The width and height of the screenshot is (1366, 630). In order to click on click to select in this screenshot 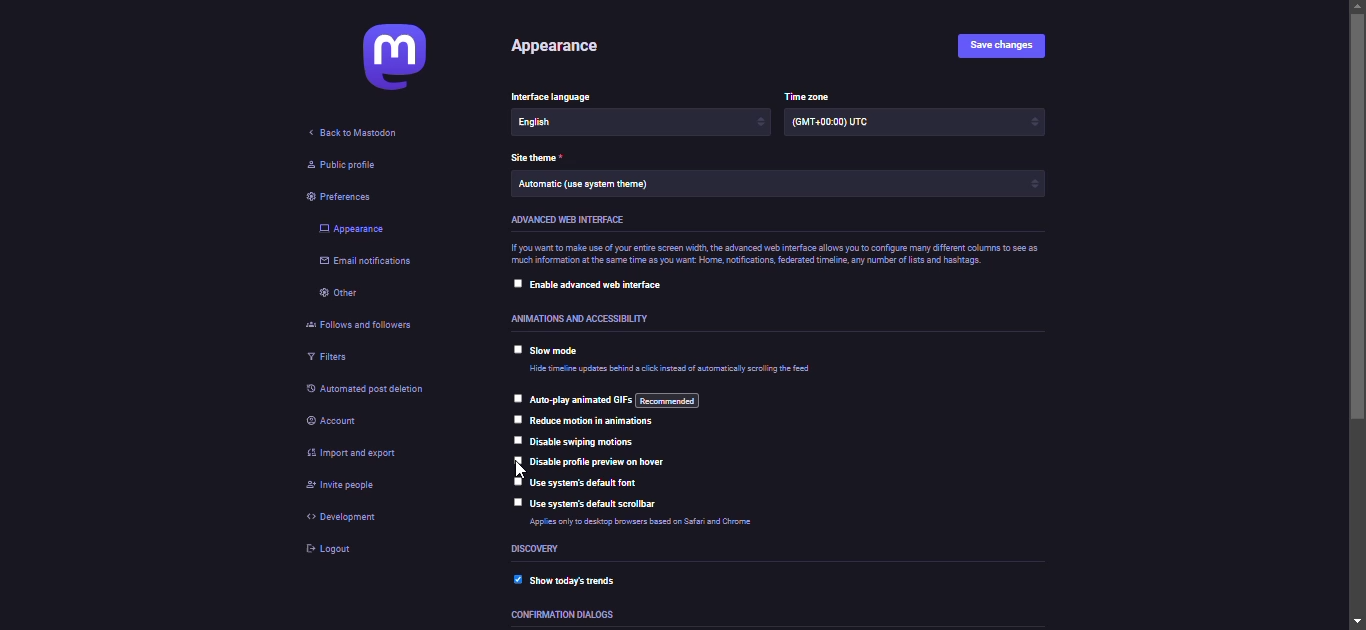, I will do `click(516, 348)`.